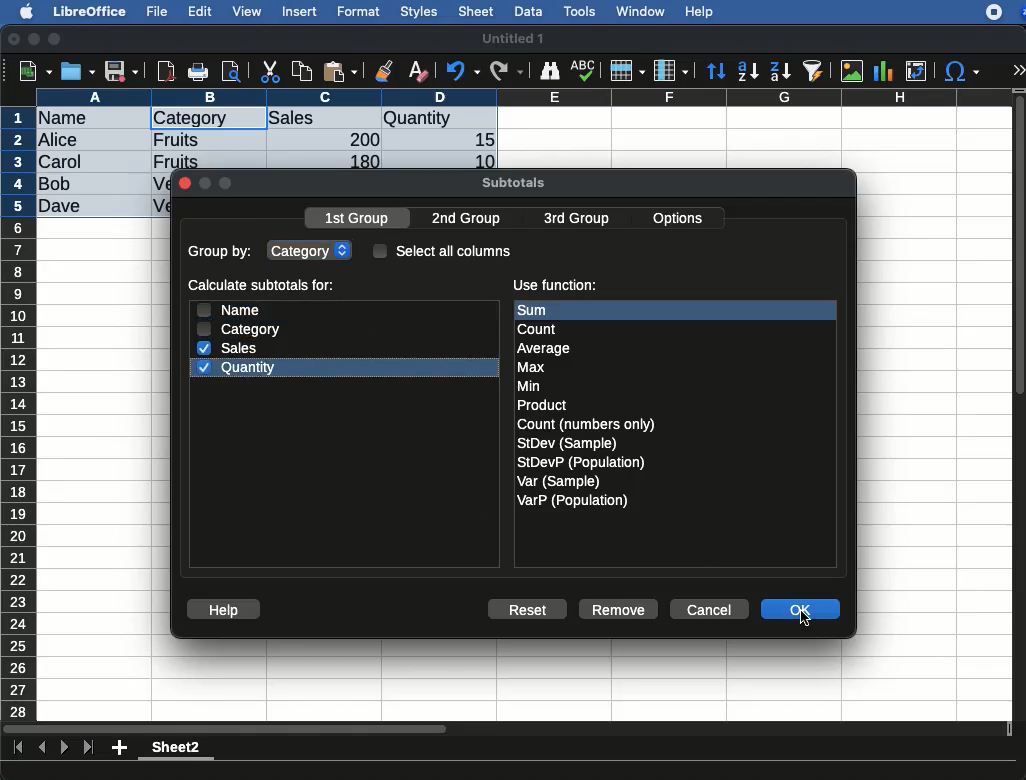 The height and width of the screenshot is (780, 1026). I want to click on column, so click(671, 72).